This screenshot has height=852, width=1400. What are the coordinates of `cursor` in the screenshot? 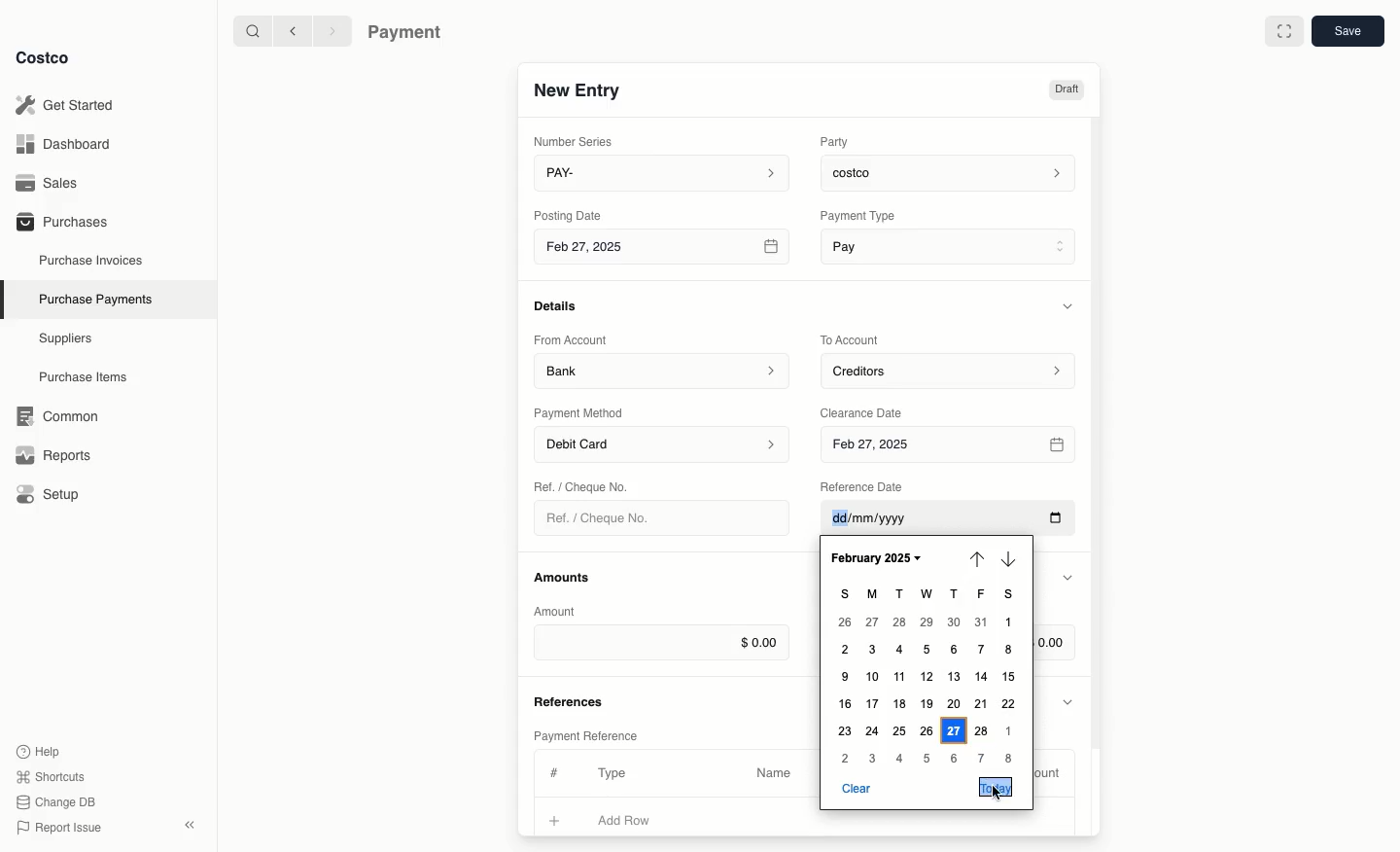 It's located at (998, 795).